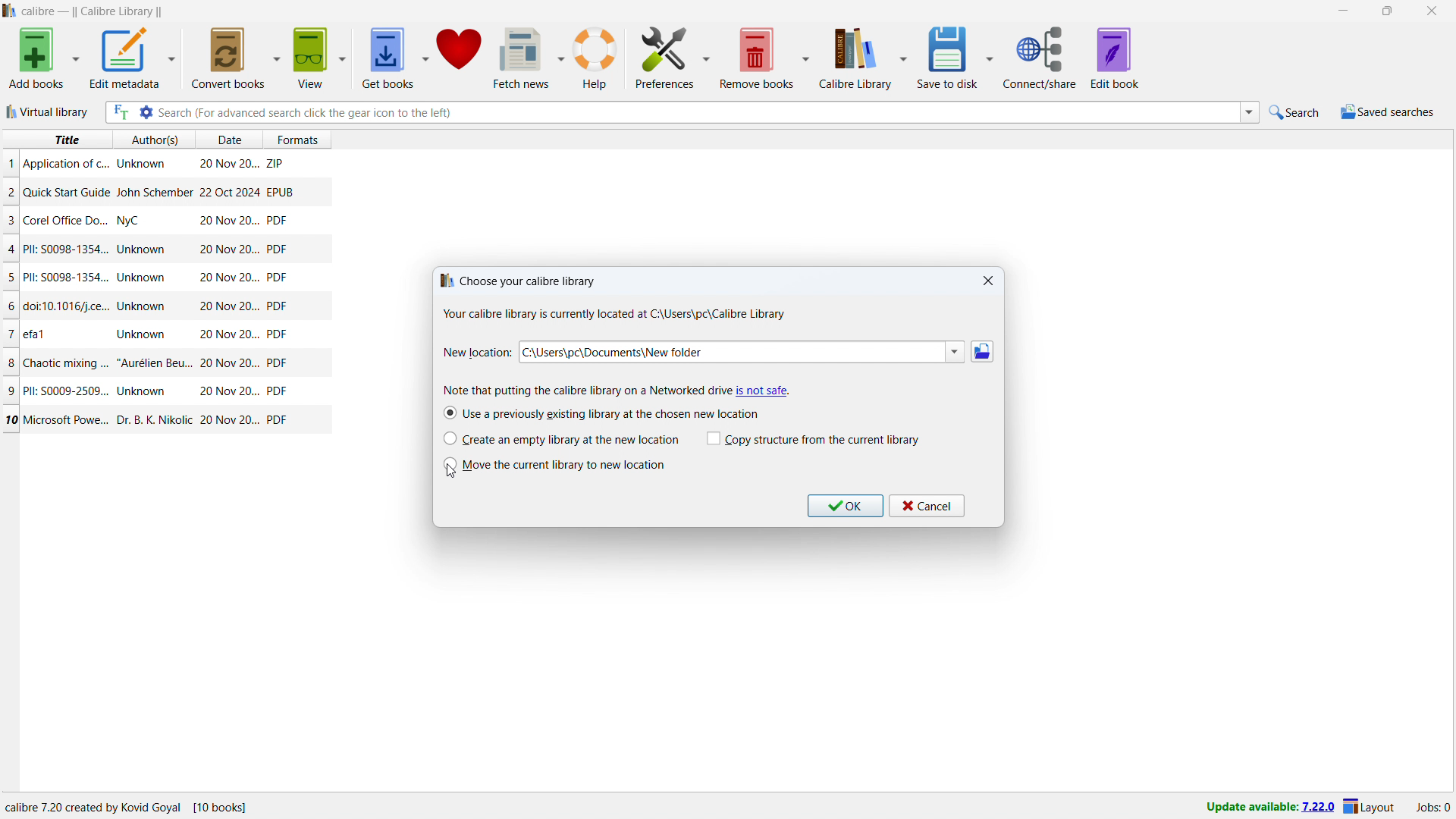 The image size is (1456, 819). Describe the element at coordinates (153, 192) in the screenshot. I see `Author` at that location.